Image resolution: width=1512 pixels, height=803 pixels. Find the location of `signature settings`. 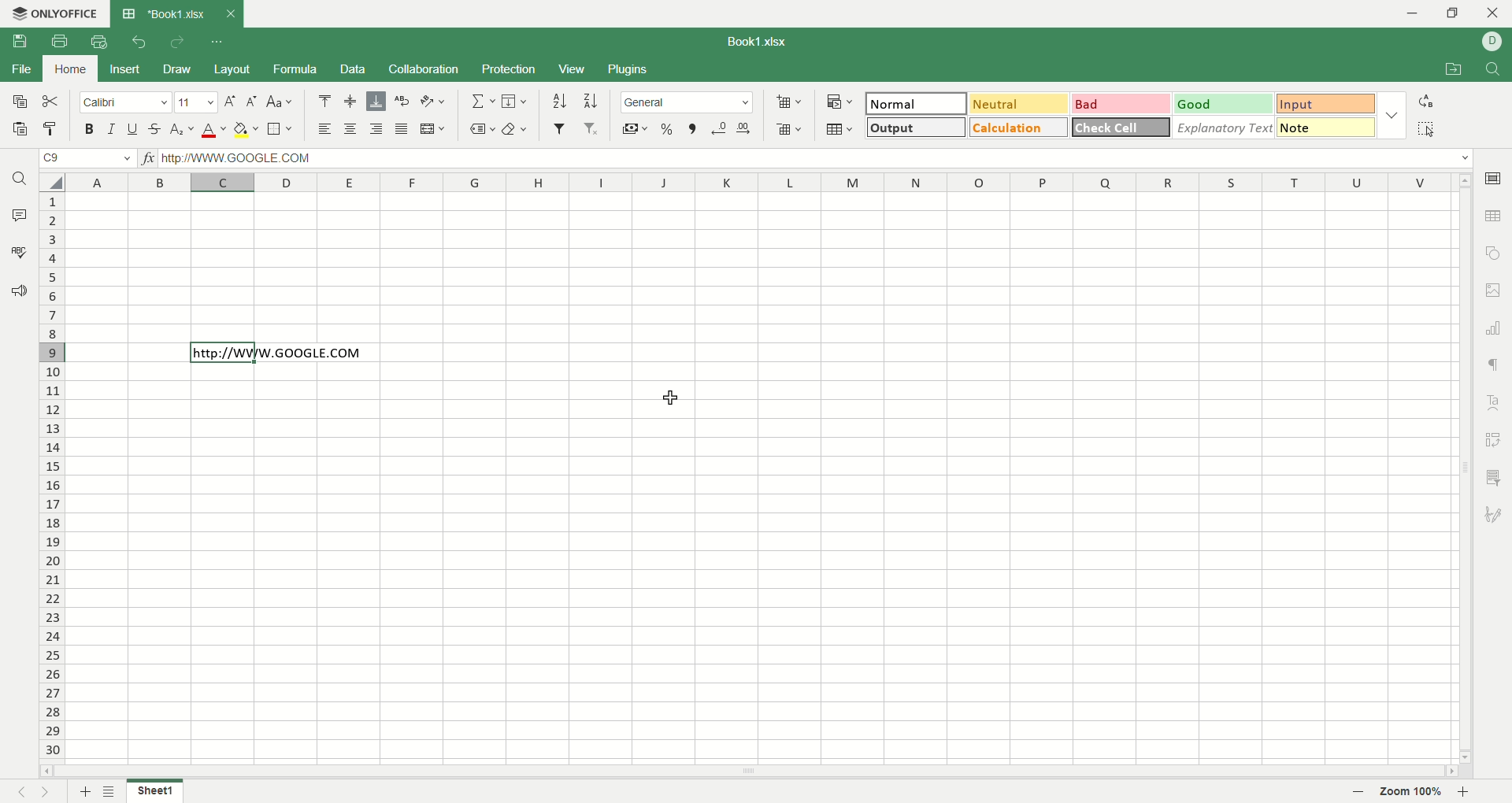

signature settings is located at coordinates (1495, 516).